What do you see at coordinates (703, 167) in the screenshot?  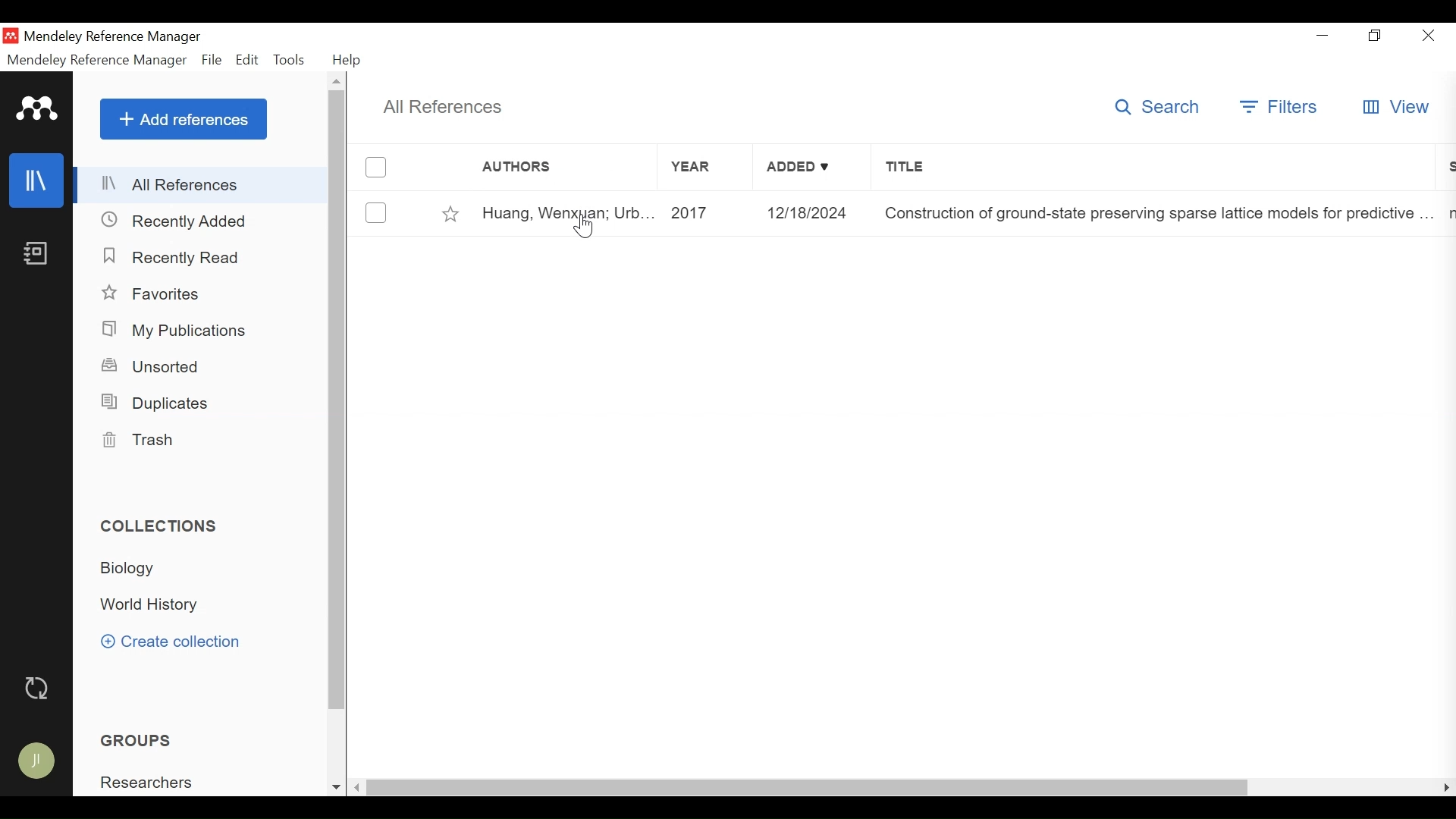 I see `Year` at bounding box center [703, 167].